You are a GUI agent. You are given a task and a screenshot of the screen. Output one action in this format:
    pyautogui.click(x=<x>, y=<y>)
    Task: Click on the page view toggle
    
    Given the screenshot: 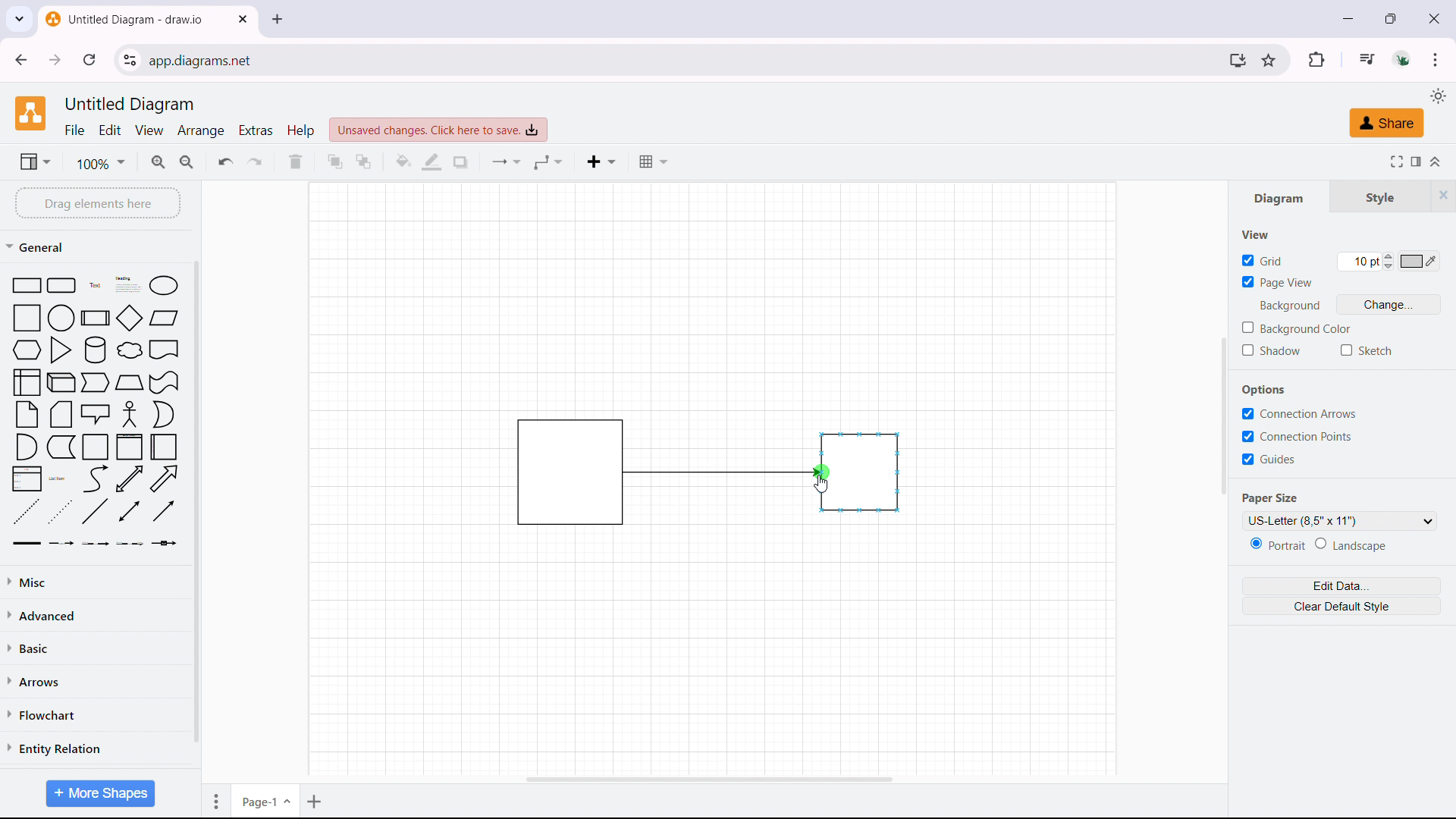 What is the action you would take?
    pyautogui.click(x=1277, y=281)
    